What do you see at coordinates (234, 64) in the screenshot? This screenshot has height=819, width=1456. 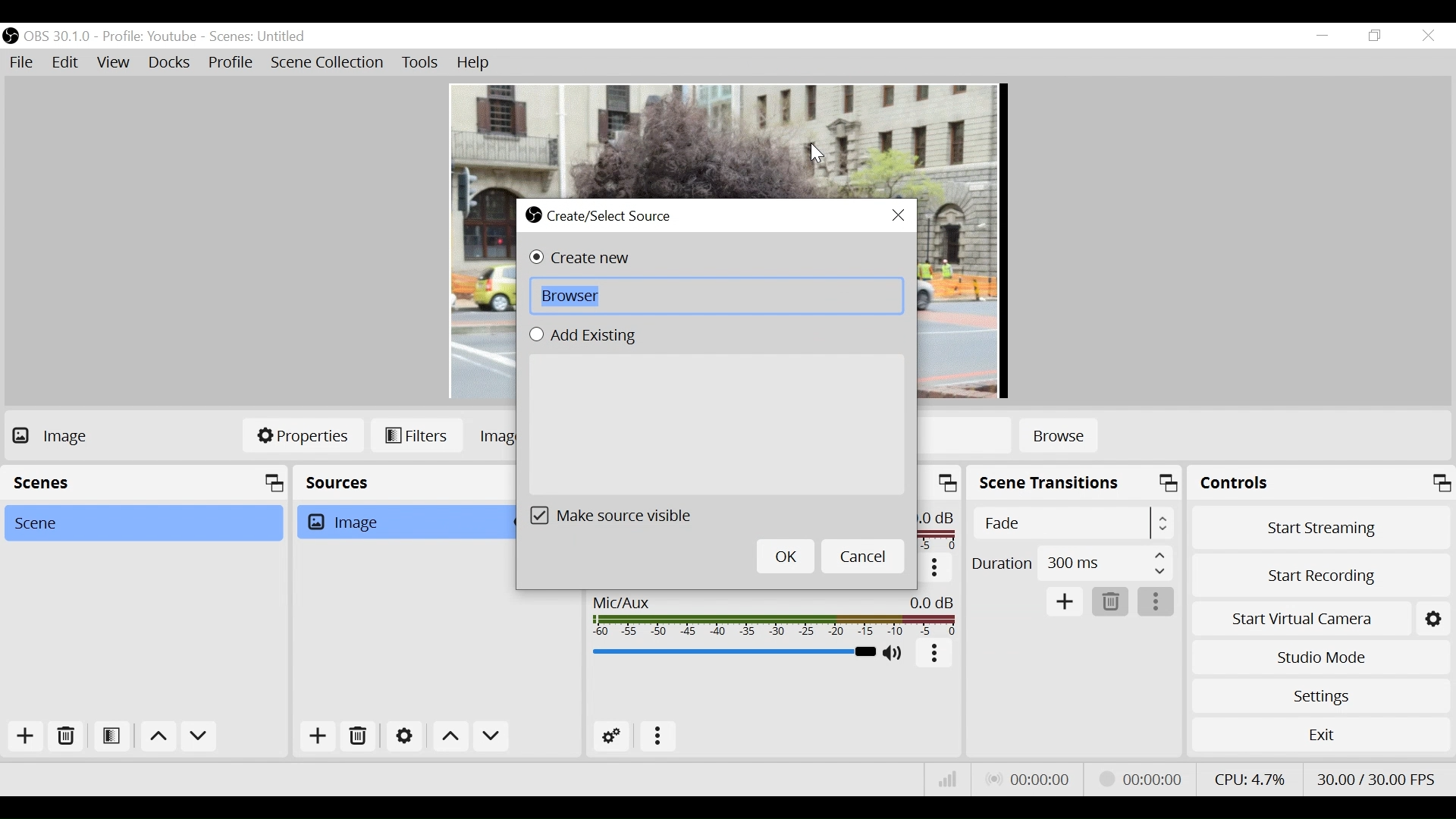 I see `Profile` at bounding box center [234, 64].